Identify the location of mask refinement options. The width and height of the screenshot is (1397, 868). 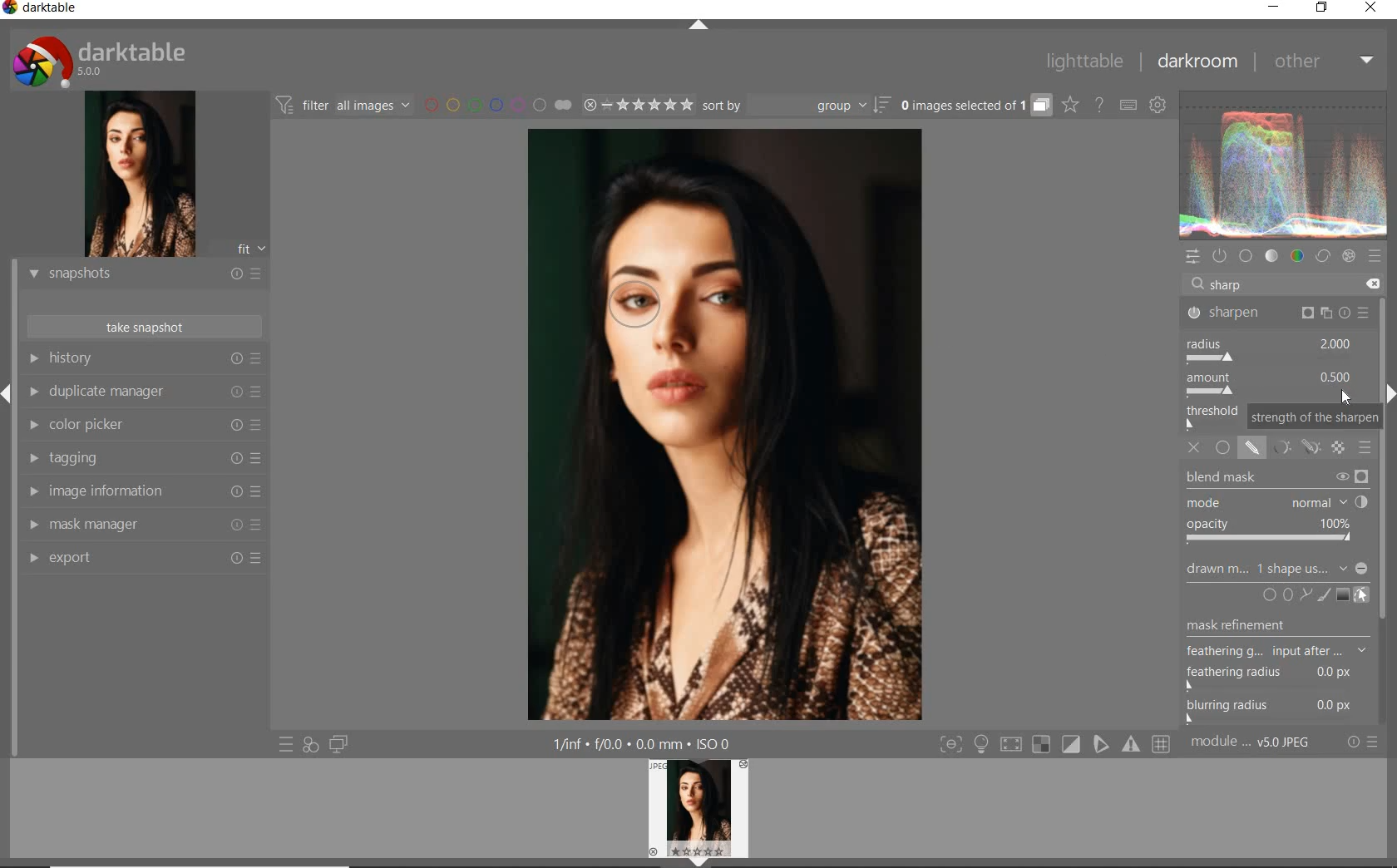
(1278, 653).